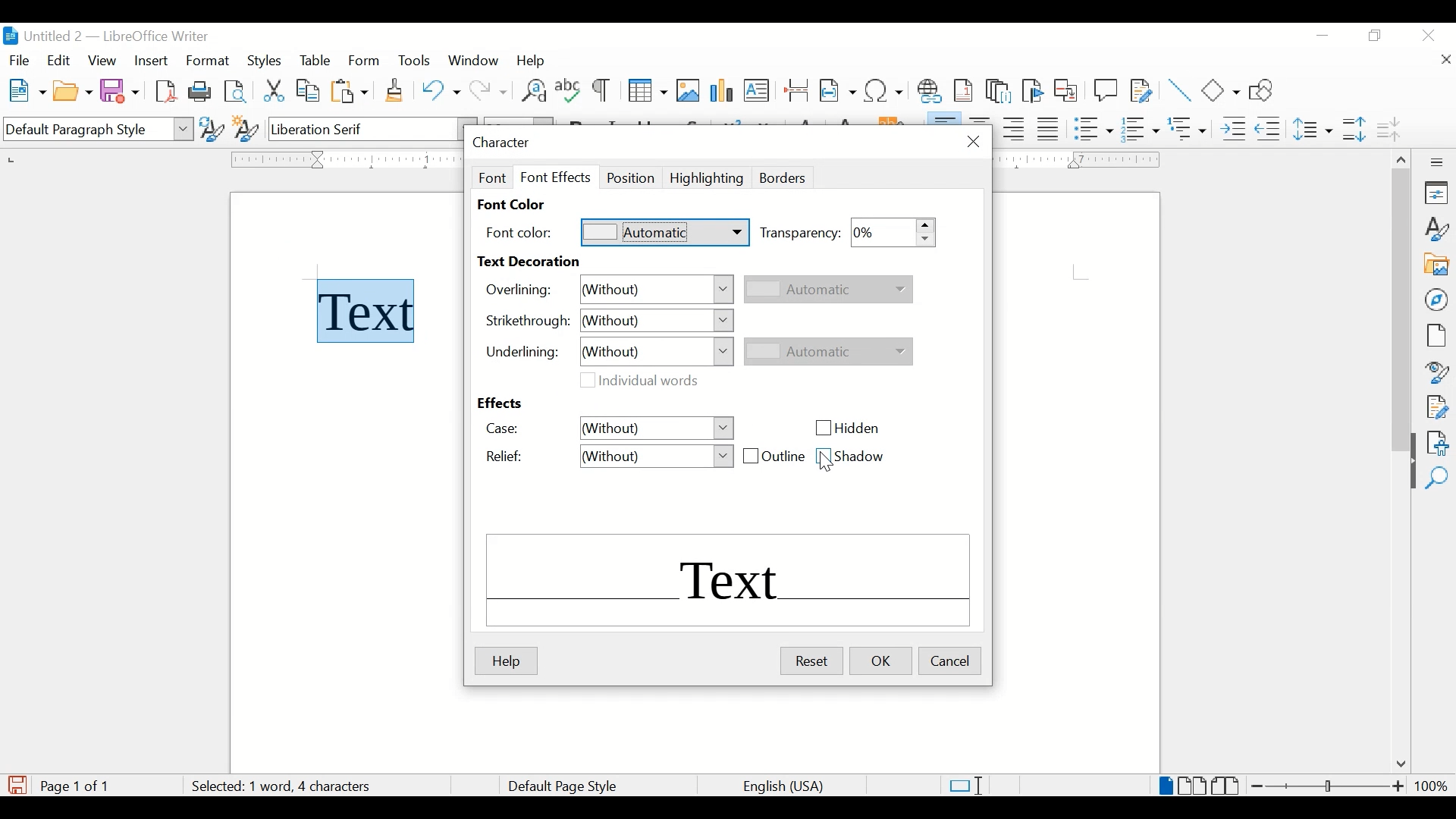 The image size is (1456, 819). Describe the element at coordinates (209, 61) in the screenshot. I see `format highlighted` at that location.